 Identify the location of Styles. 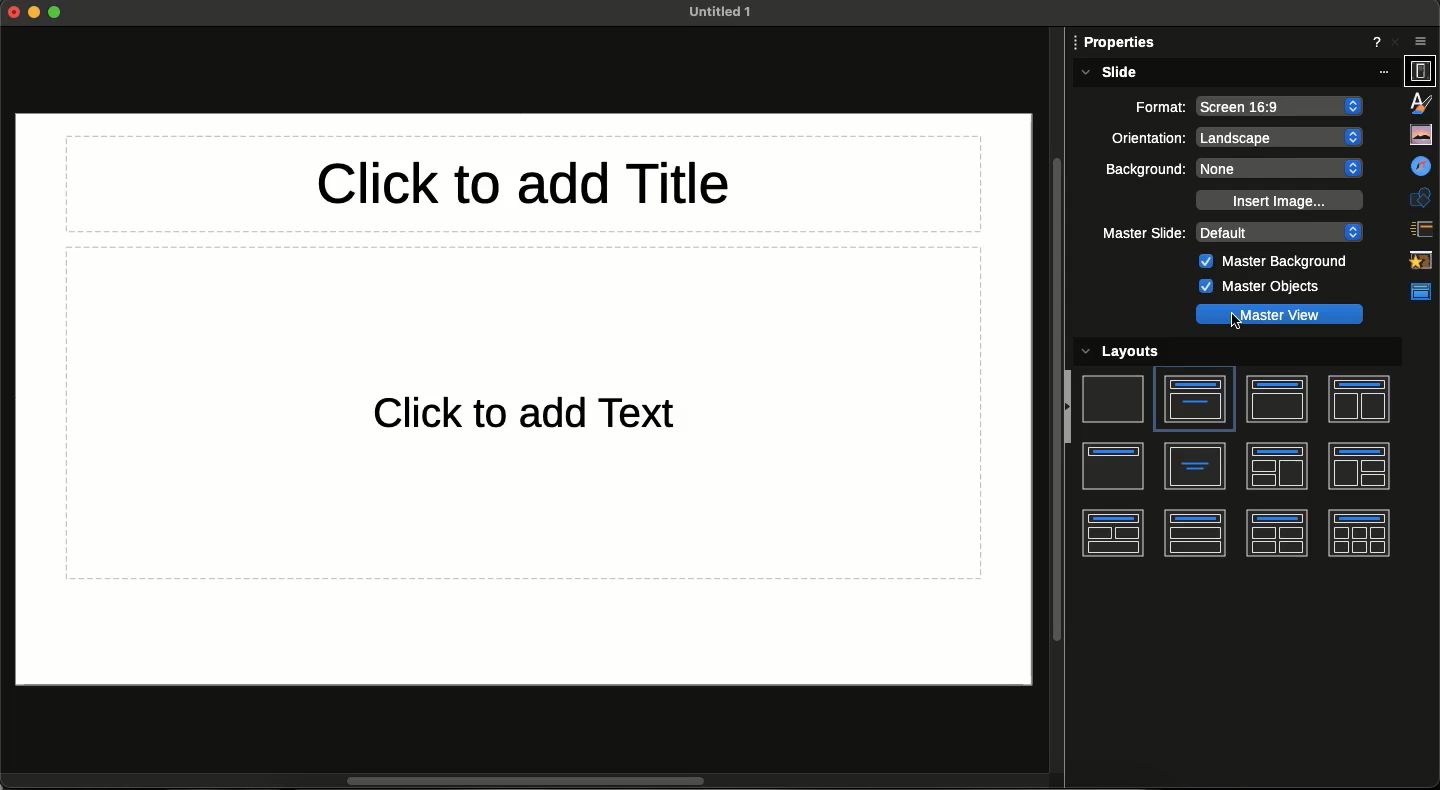
(1422, 105).